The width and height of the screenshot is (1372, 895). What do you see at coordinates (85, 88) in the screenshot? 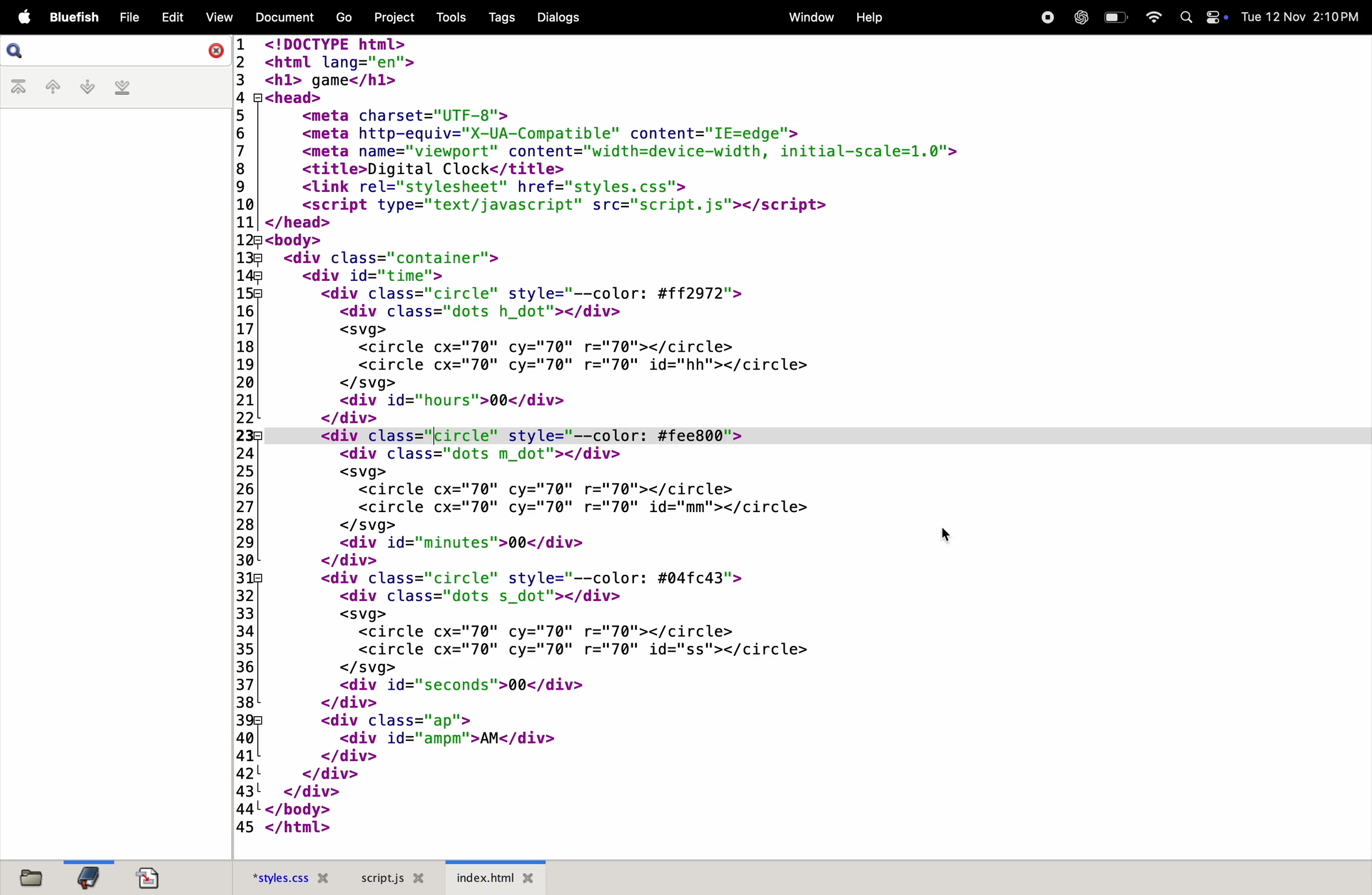
I see `nextbookmark` at bounding box center [85, 88].